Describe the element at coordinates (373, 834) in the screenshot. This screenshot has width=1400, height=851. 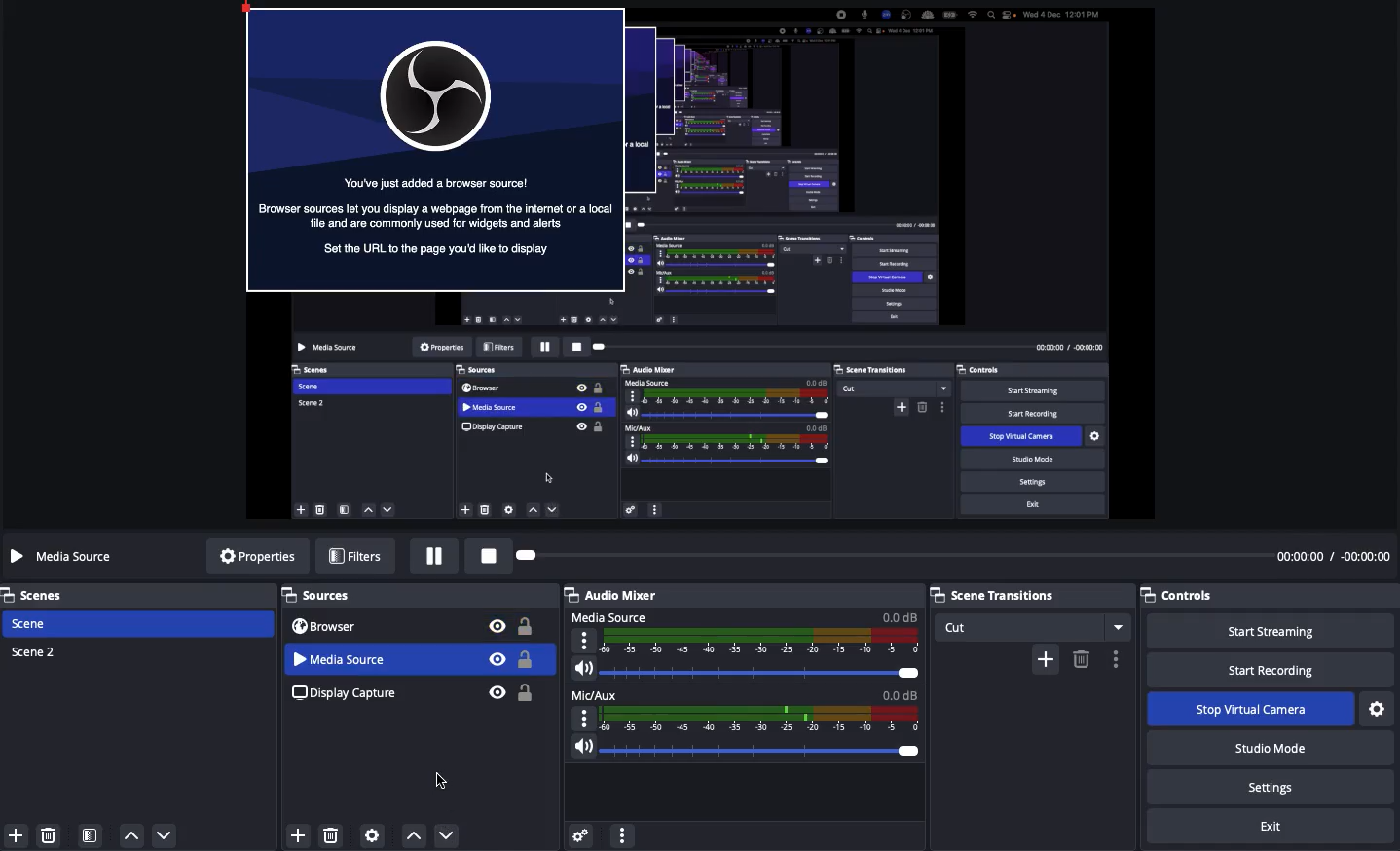
I see `Sources preferences` at that location.